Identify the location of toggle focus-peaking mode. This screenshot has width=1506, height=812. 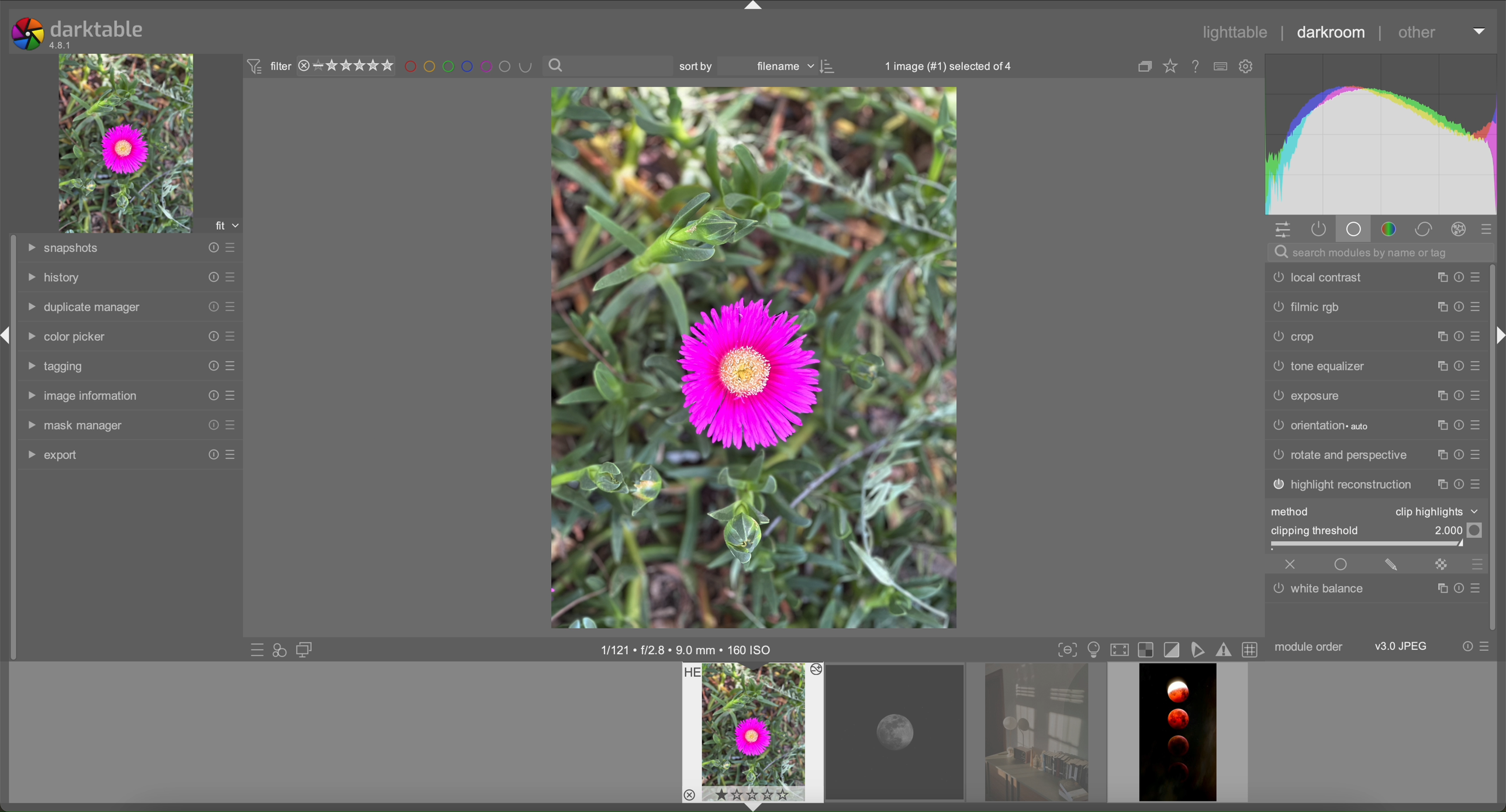
(1068, 649).